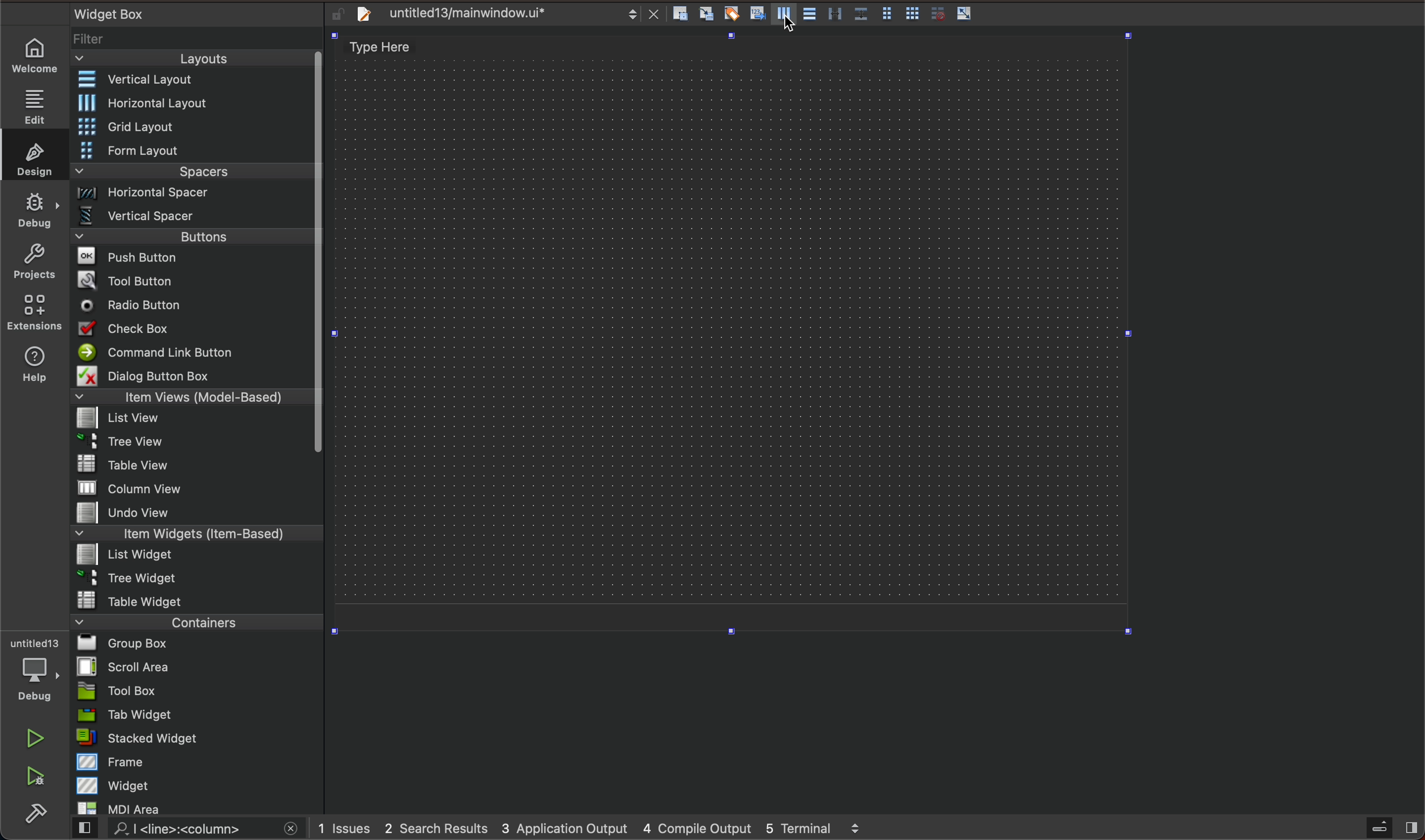 The image size is (1425, 840). What do you see at coordinates (196, 487) in the screenshot?
I see `column view` at bounding box center [196, 487].